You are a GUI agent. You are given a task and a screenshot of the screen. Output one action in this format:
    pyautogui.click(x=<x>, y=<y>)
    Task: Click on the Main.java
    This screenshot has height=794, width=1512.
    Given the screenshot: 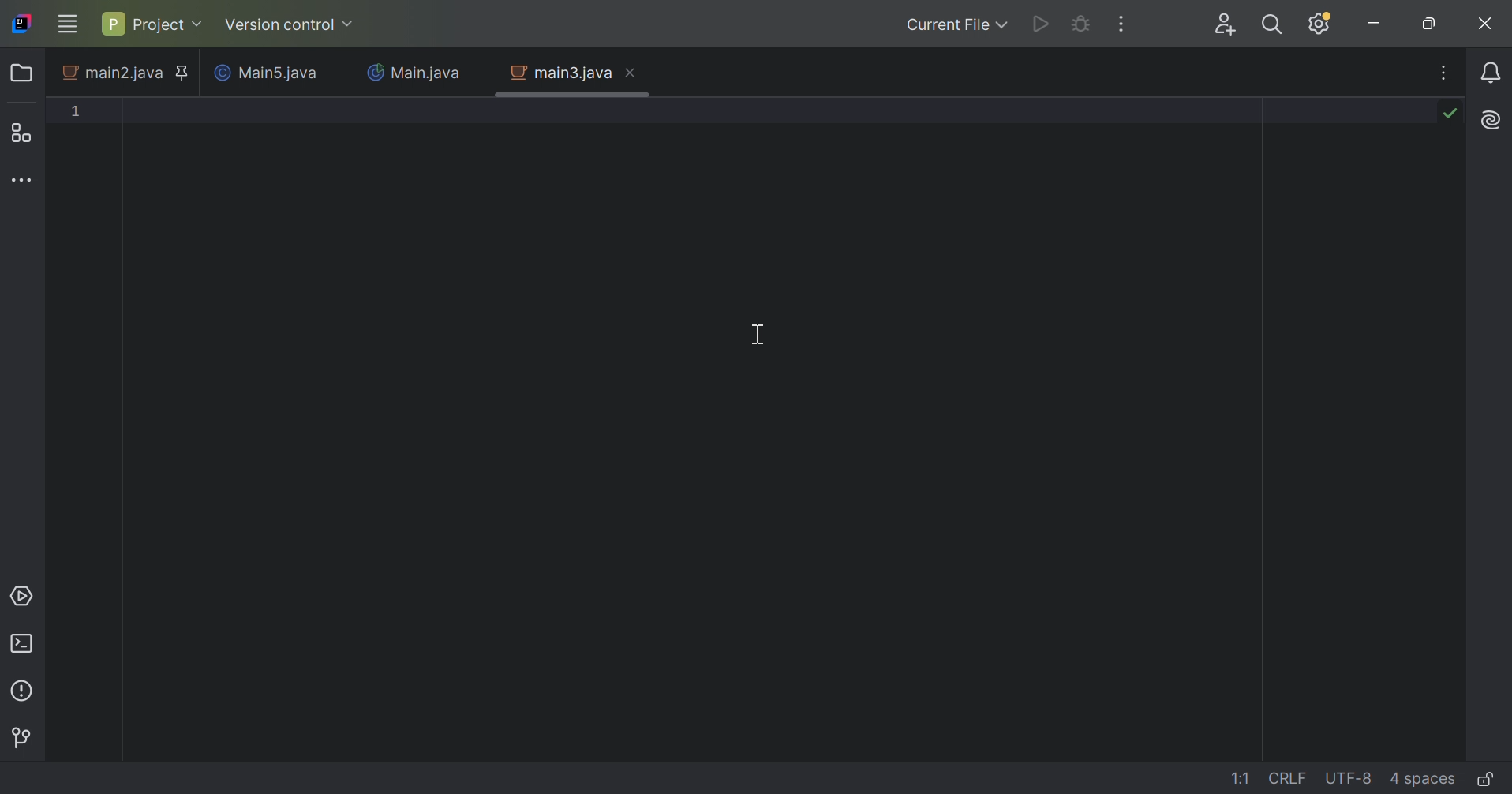 What is the action you would take?
    pyautogui.click(x=417, y=73)
    